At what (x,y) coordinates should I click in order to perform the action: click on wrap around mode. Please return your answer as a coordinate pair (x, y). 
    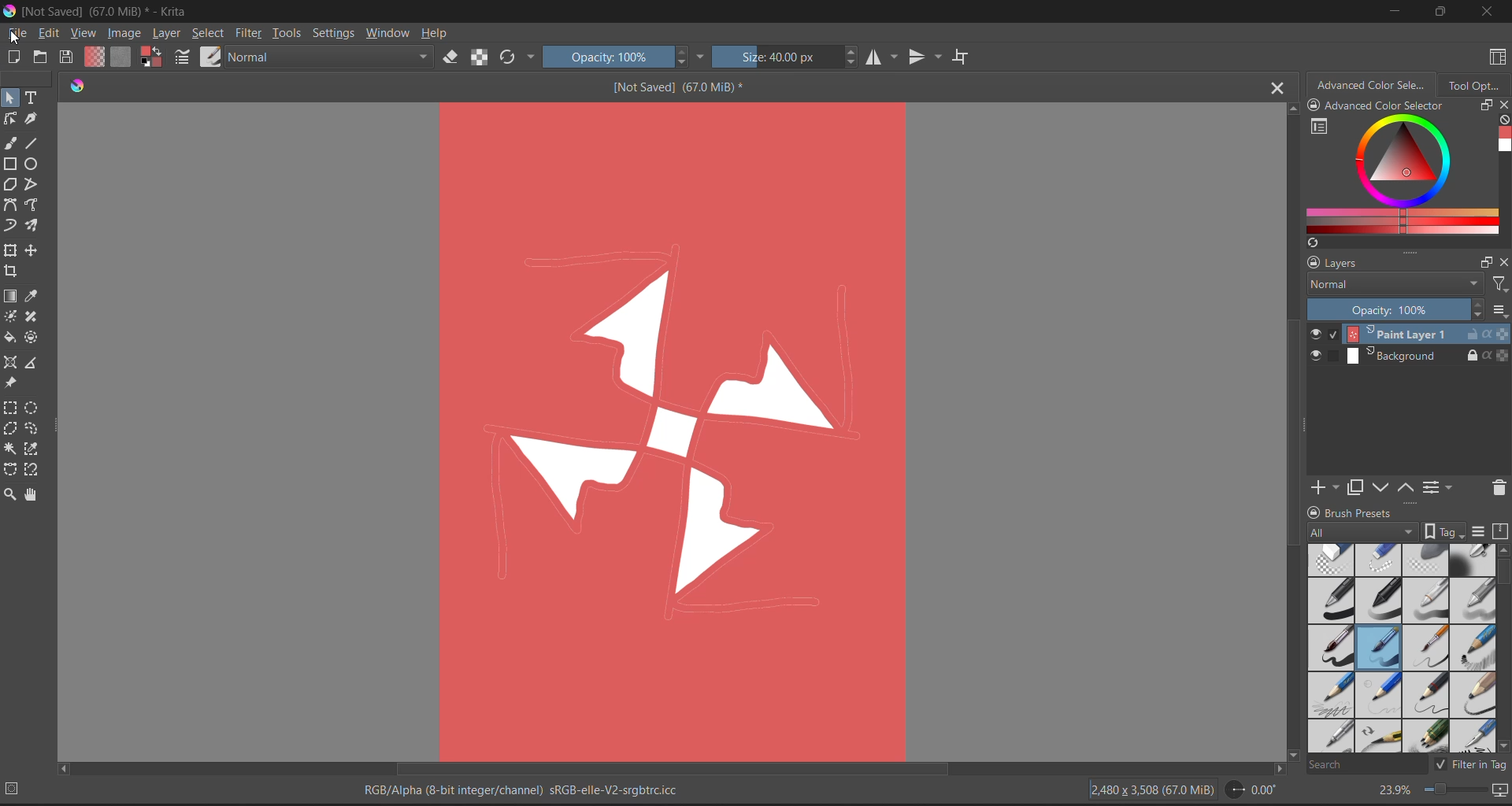
    Looking at the image, I should click on (962, 57).